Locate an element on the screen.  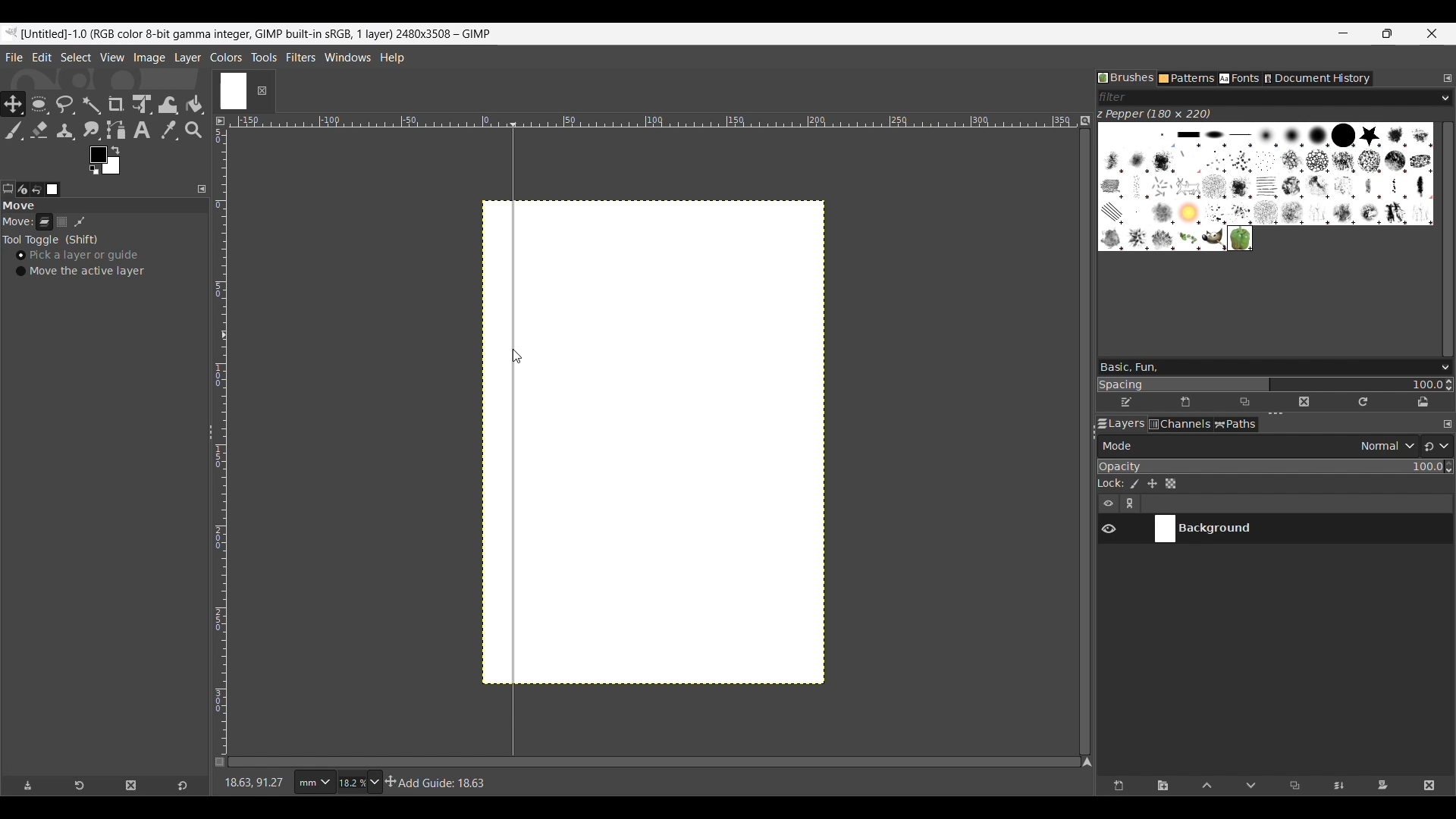
Paths tool is located at coordinates (117, 130).